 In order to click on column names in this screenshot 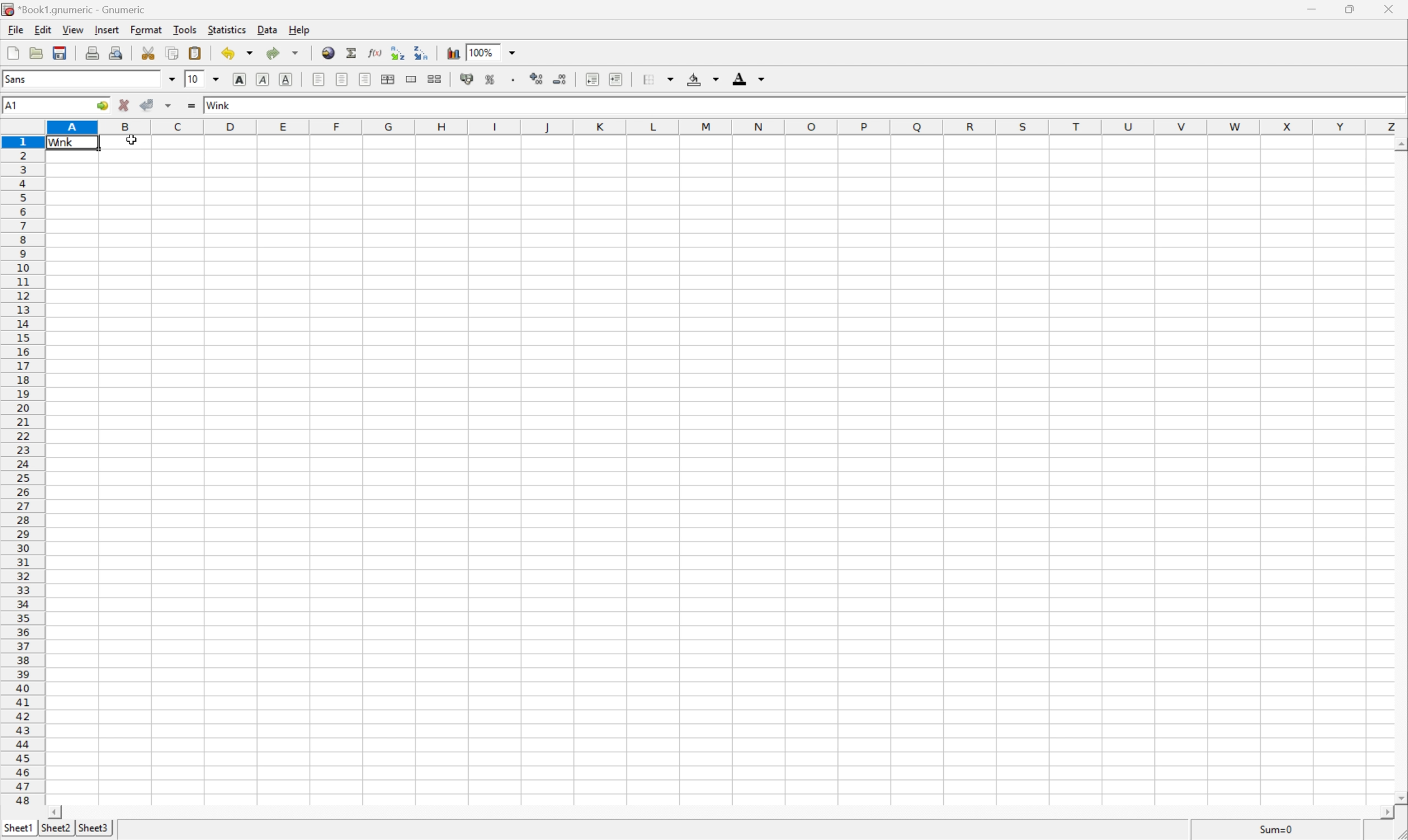, I will do `click(722, 126)`.